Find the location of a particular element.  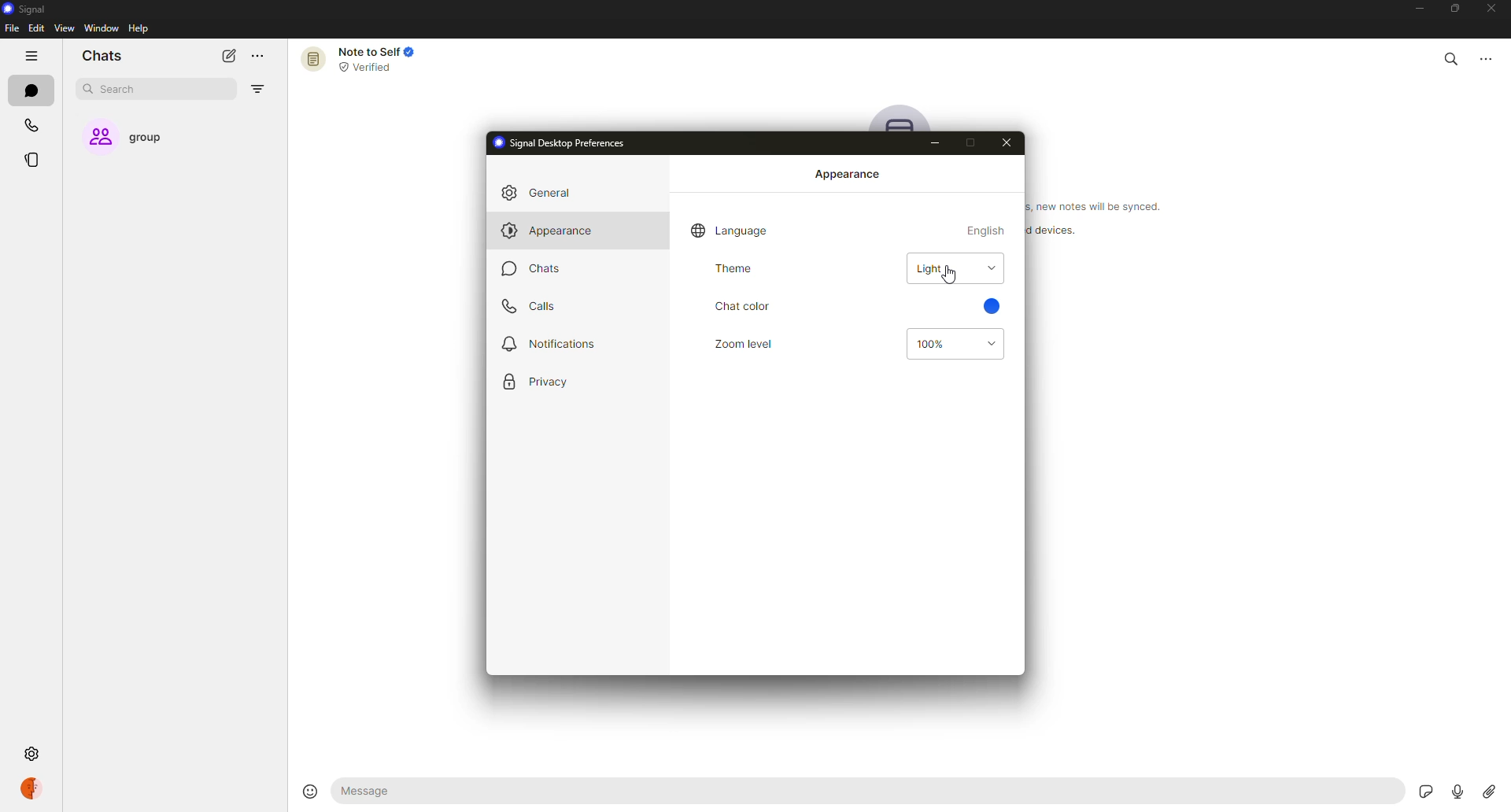

note to self is located at coordinates (365, 58).